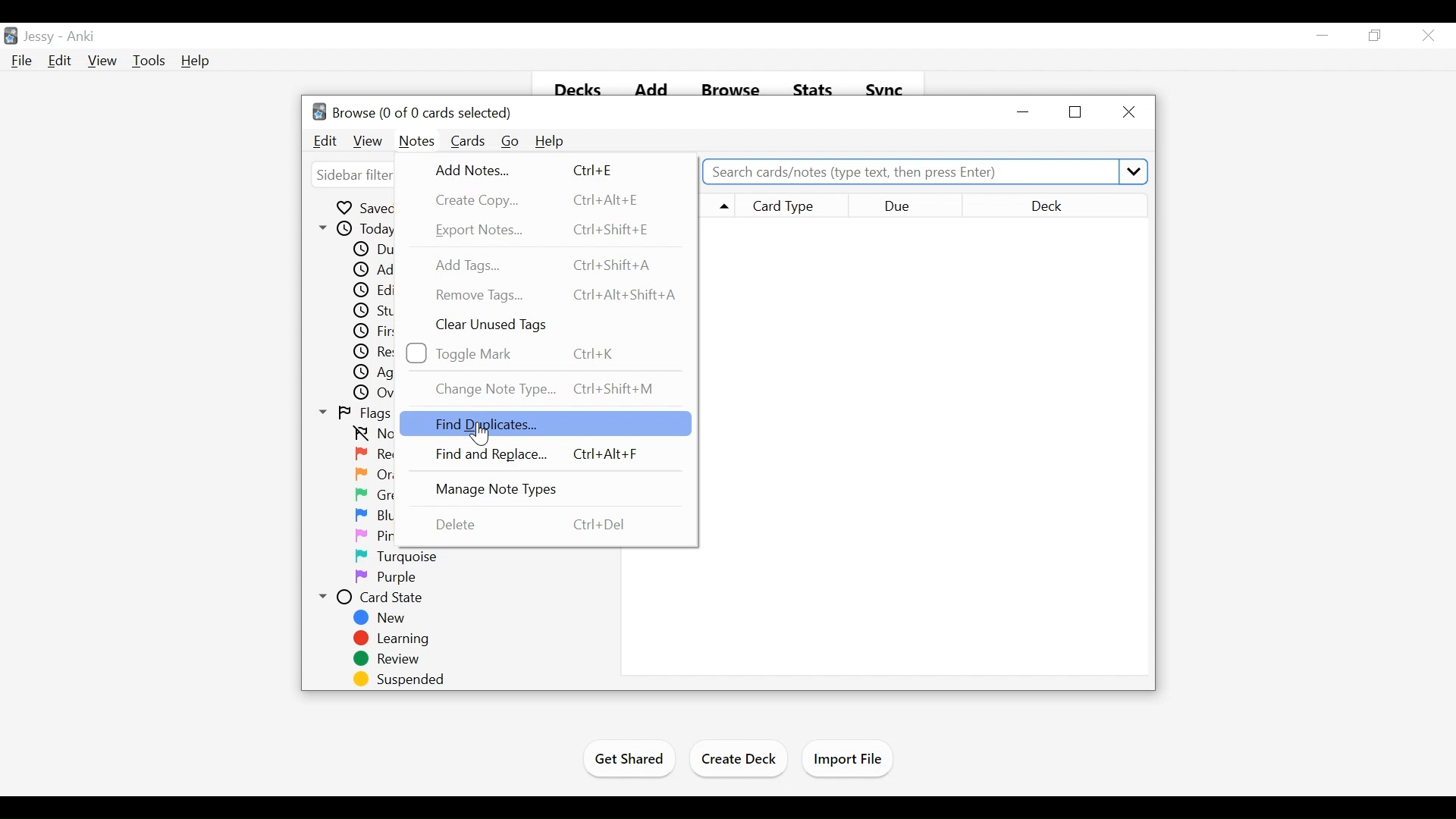 The width and height of the screenshot is (1456, 819). I want to click on Add, so click(651, 86).